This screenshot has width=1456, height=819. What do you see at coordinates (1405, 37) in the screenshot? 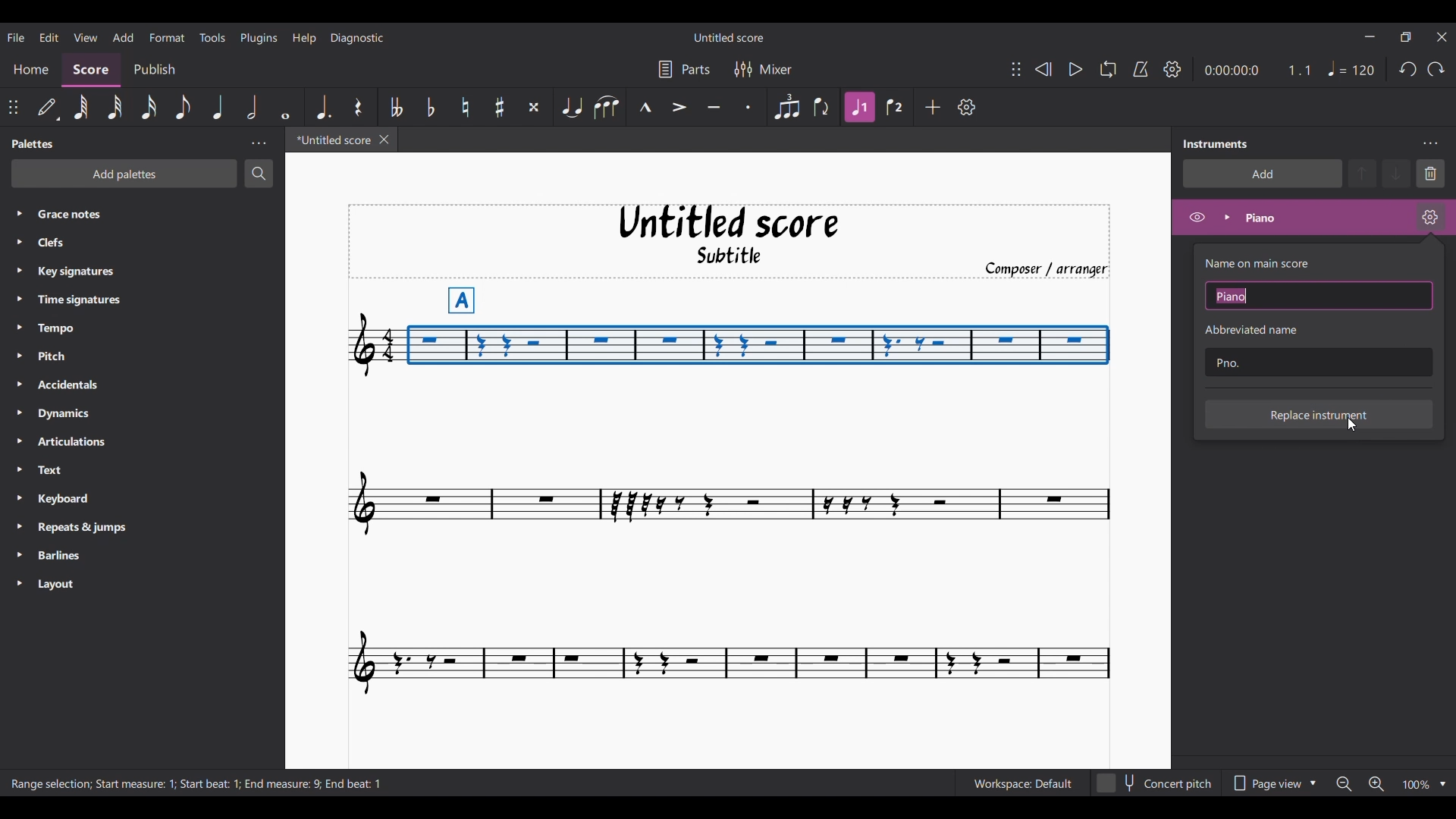
I see `Show in a smaller interface` at bounding box center [1405, 37].